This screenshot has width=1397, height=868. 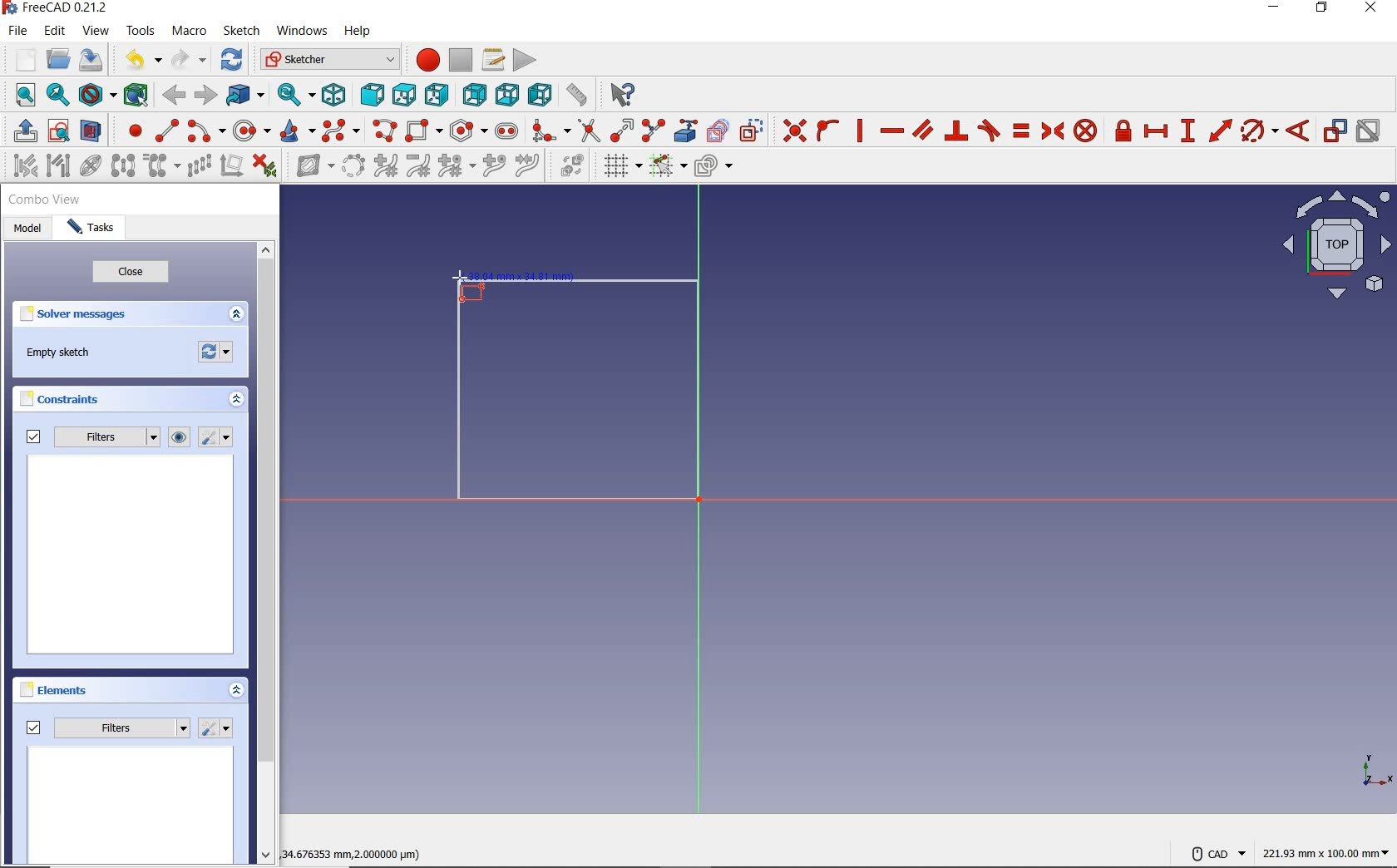 What do you see at coordinates (27, 229) in the screenshot?
I see `model` at bounding box center [27, 229].